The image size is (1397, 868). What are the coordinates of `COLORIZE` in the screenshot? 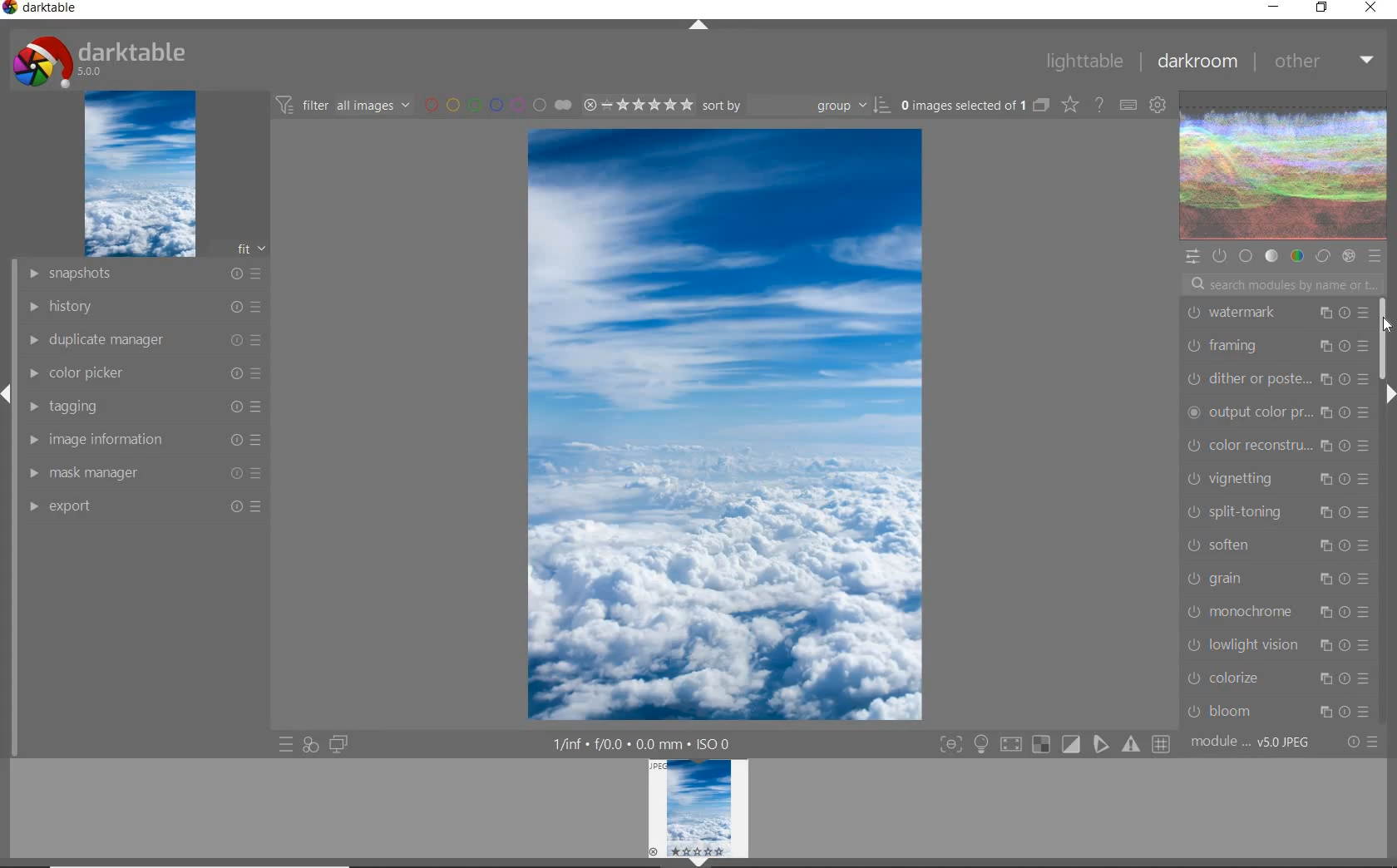 It's located at (1276, 678).